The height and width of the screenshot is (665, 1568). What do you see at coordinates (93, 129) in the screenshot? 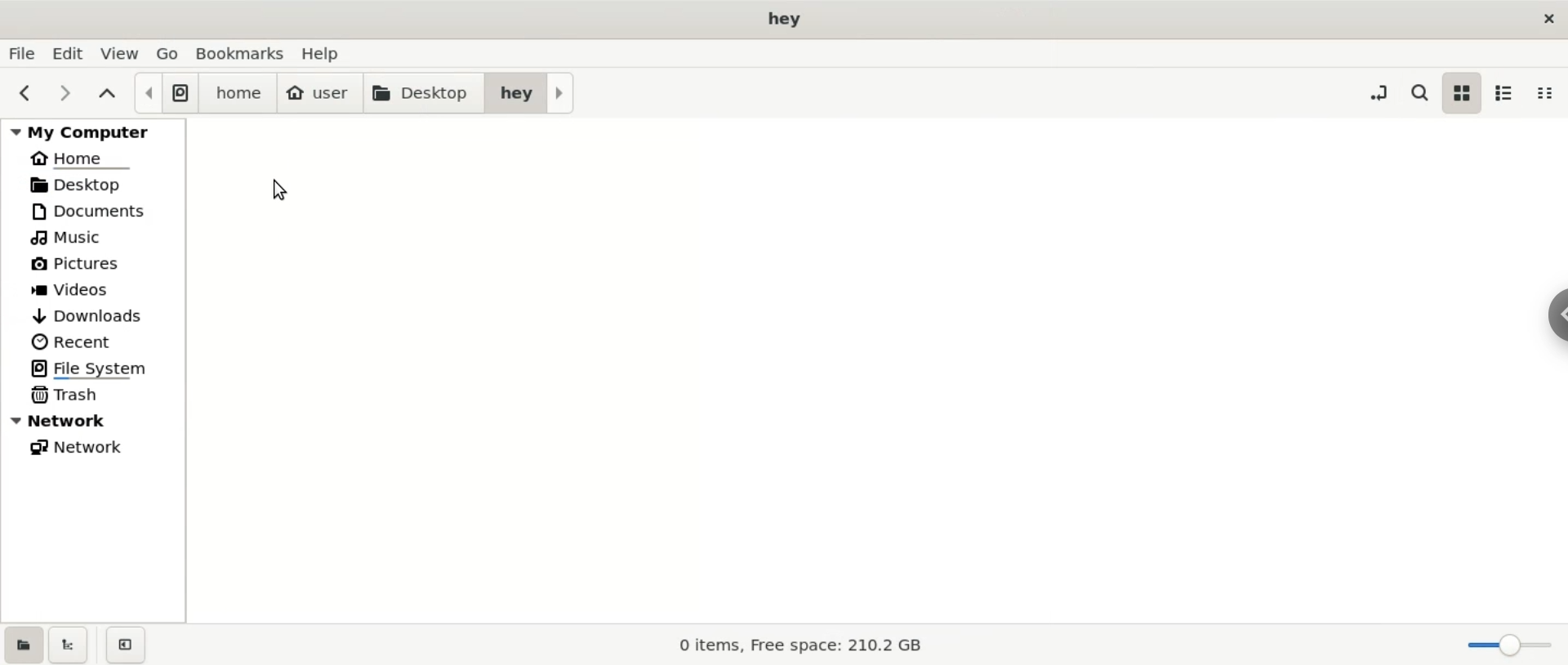
I see `my computer` at bounding box center [93, 129].